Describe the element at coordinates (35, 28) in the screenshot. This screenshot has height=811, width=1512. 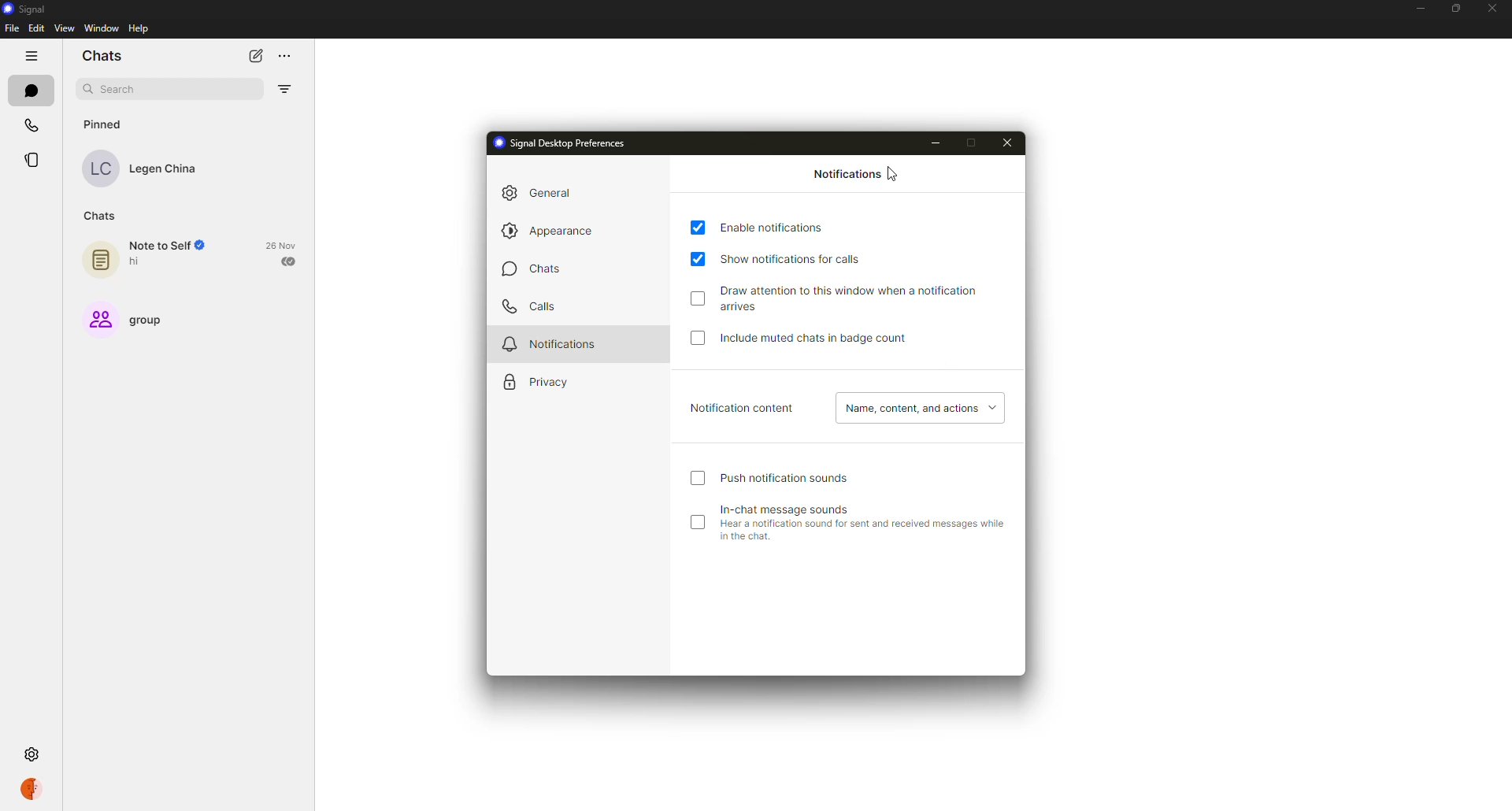
I see `edit` at that location.